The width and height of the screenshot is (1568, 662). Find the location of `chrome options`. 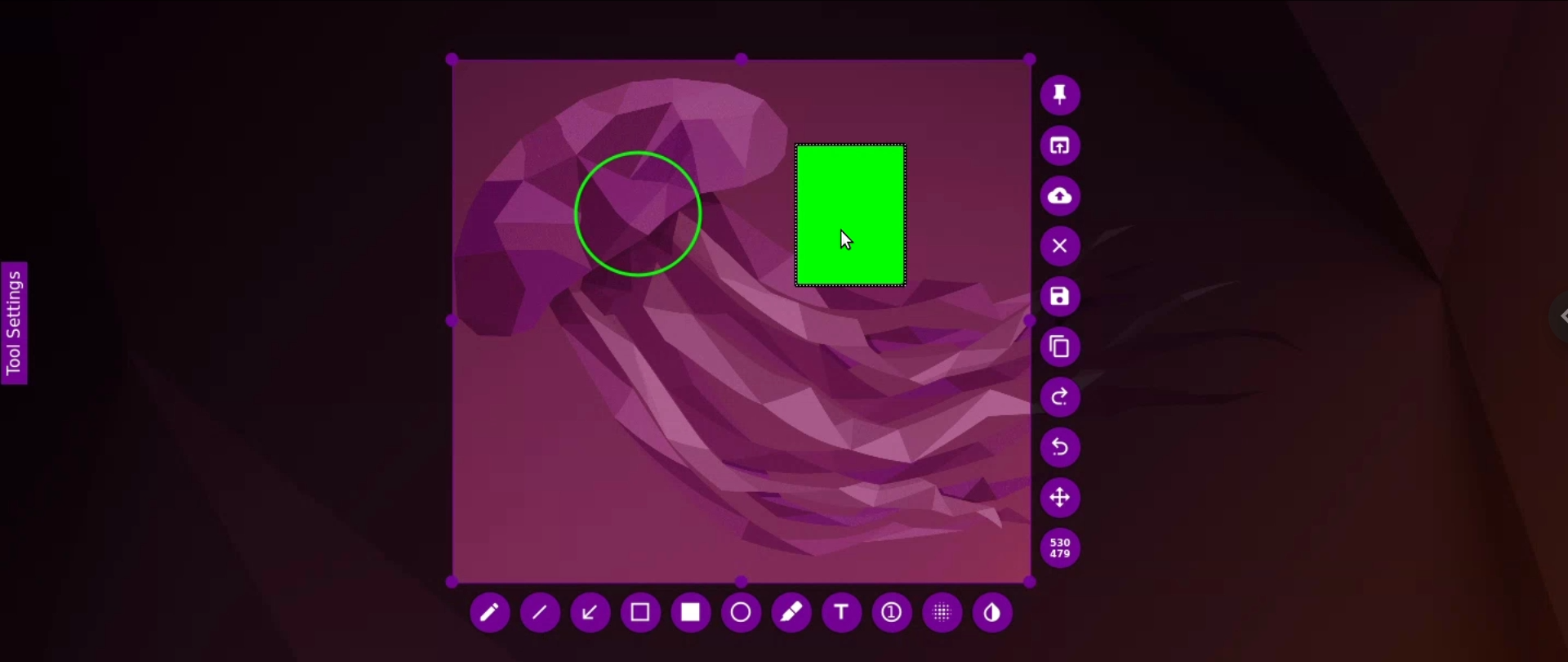

chrome options is located at coordinates (1547, 316).